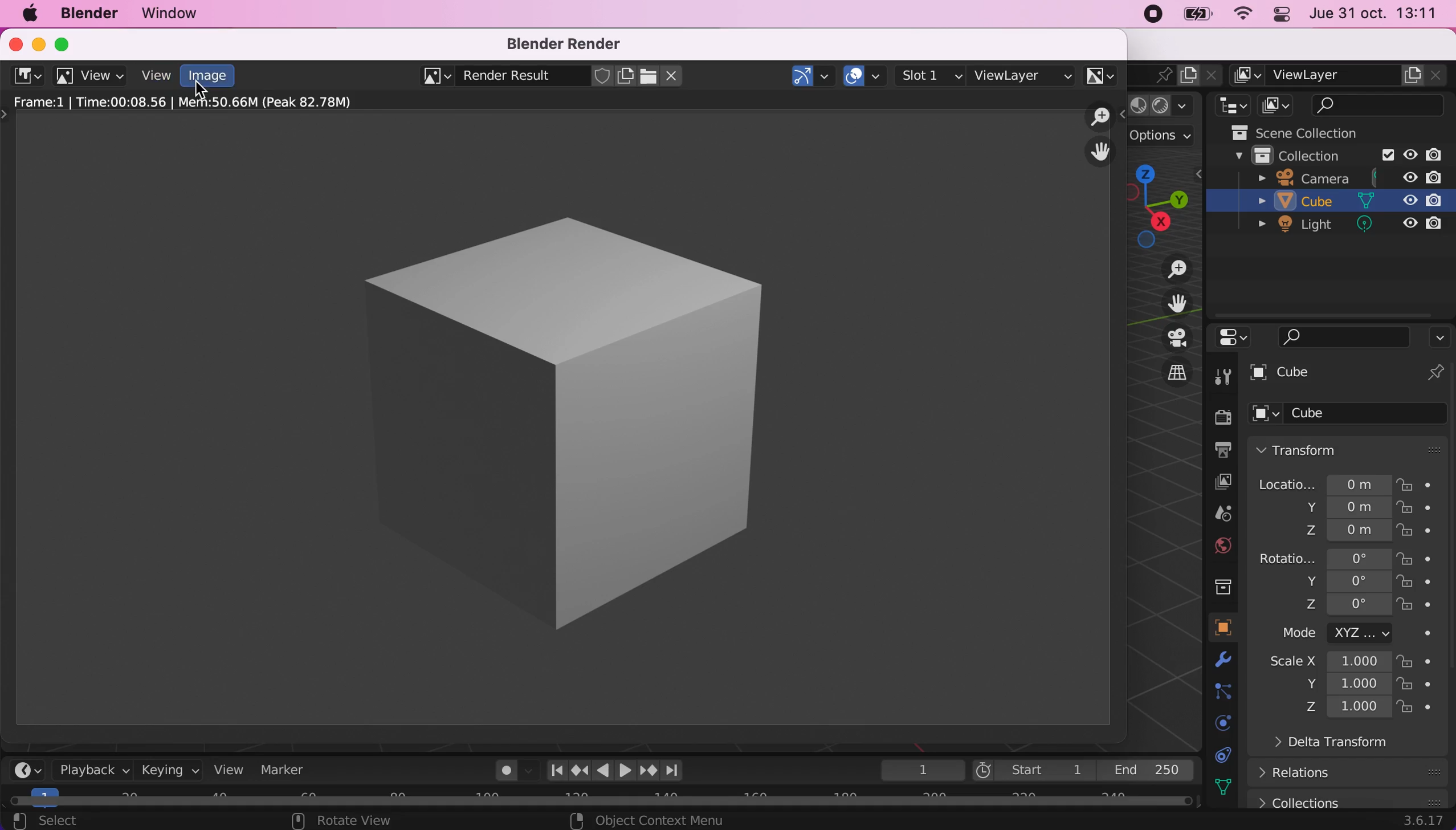 This screenshot has width=1456, height=830. What do you see at coordinates (1323, 557) in the screenshot?
I see `rotation` at bounding box center [1323, 557].